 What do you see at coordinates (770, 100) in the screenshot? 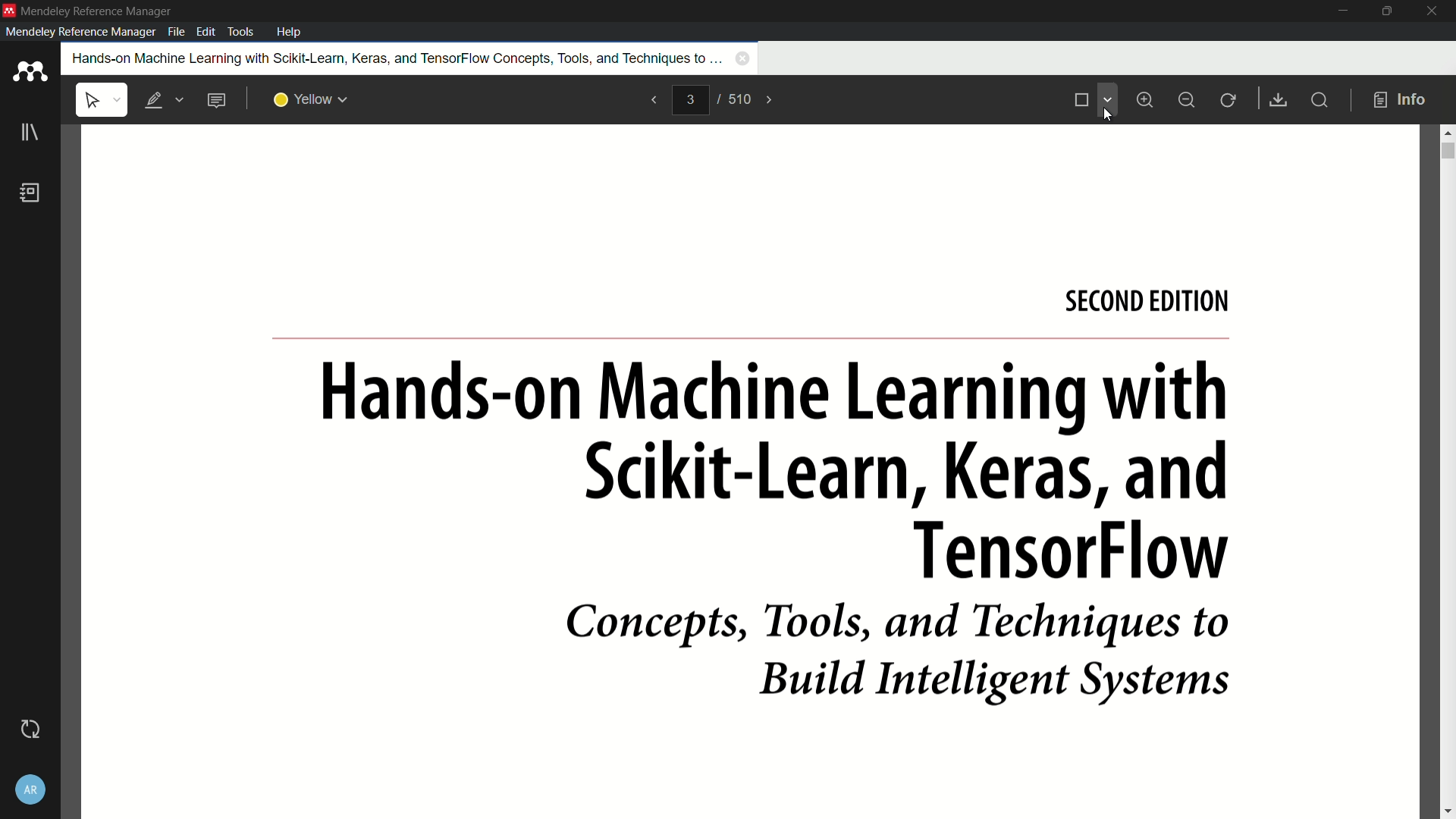
I see `next page` at bounding box center [770, 100].